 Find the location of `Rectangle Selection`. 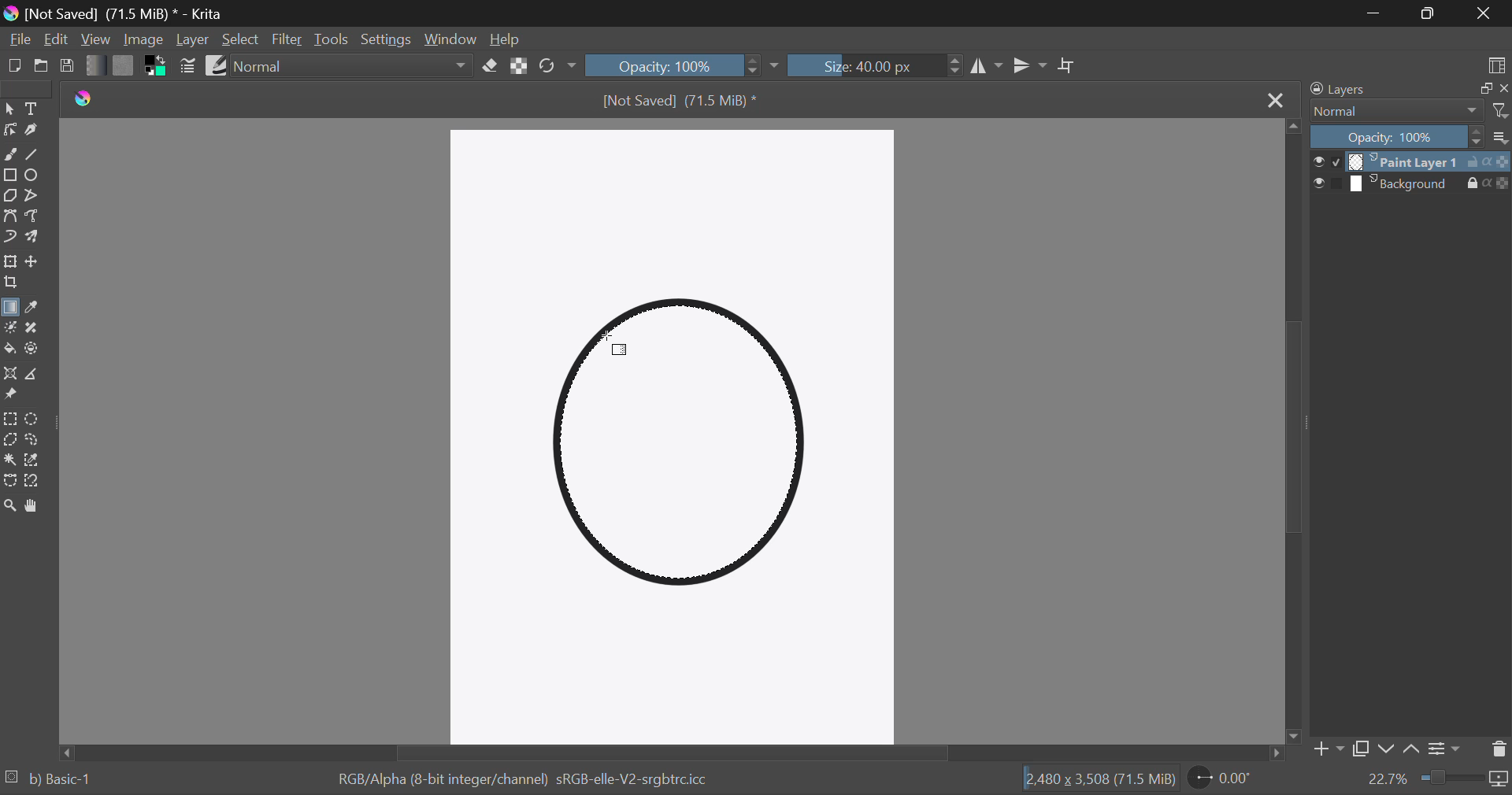

Rectangle Selection is located at coordinates (13, 417).